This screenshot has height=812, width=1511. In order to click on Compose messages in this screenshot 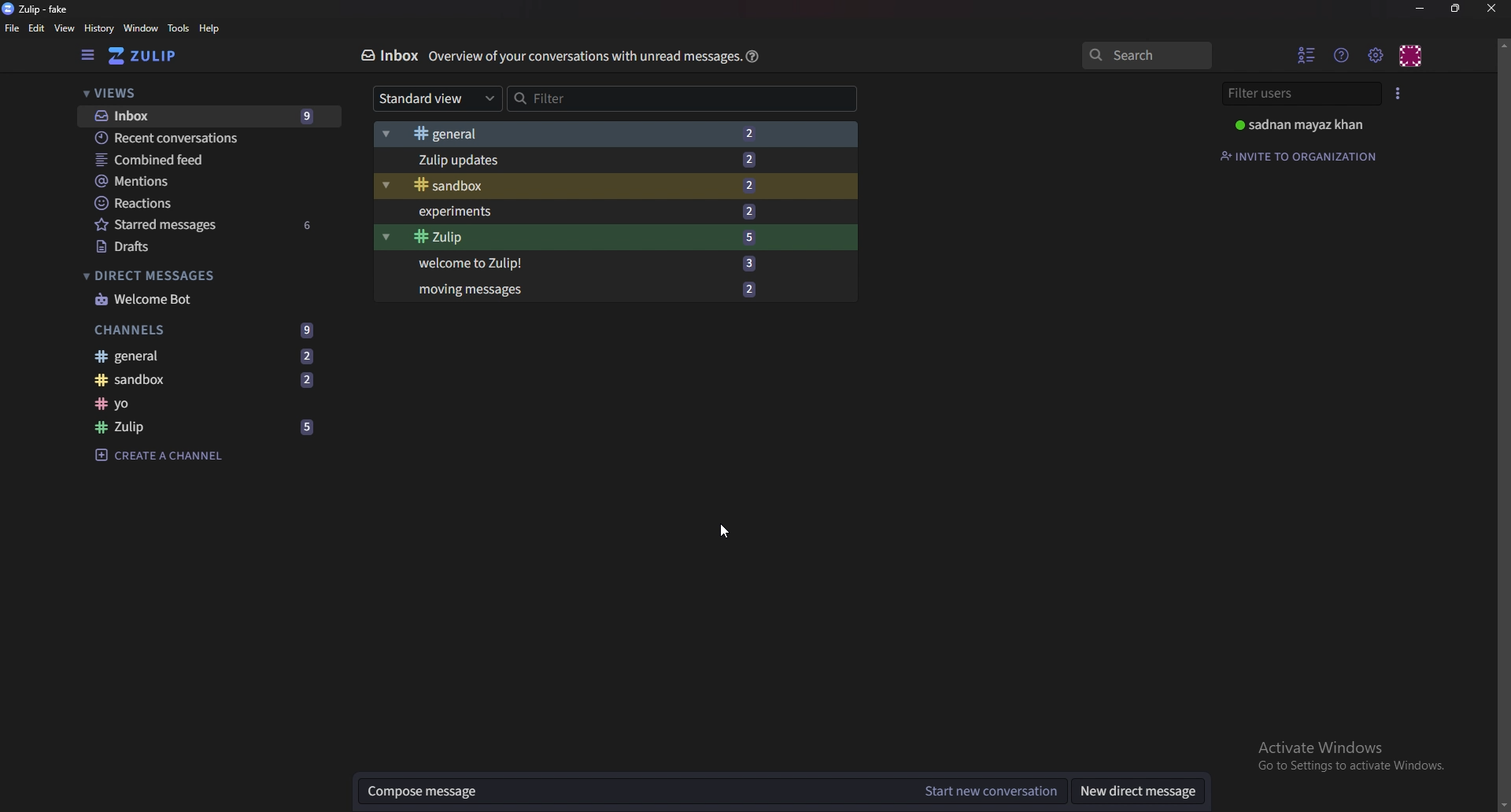, I will do `click(642, 793)`.